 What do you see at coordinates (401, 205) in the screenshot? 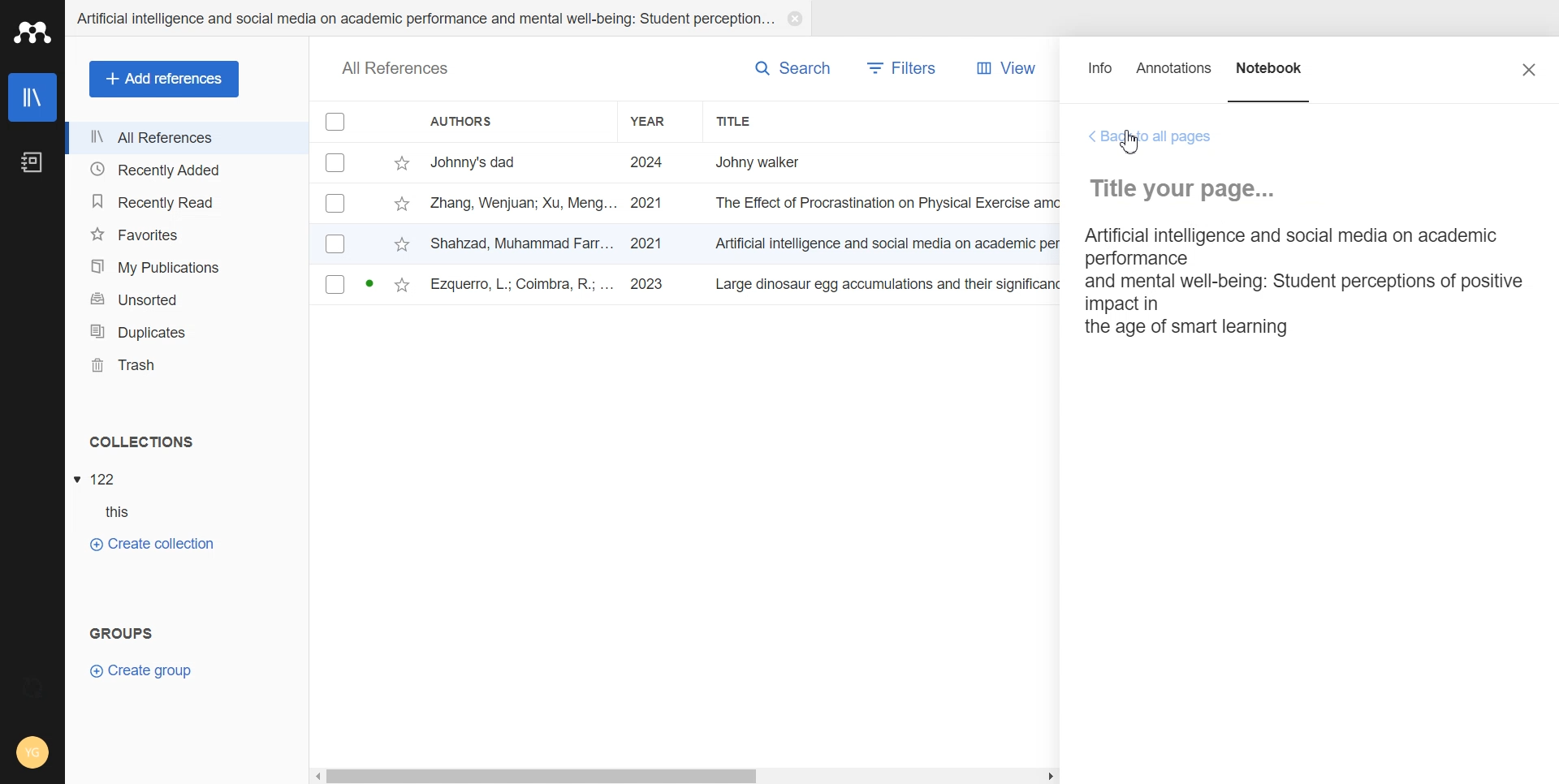
I see `star` at bounding box center [401, 205].